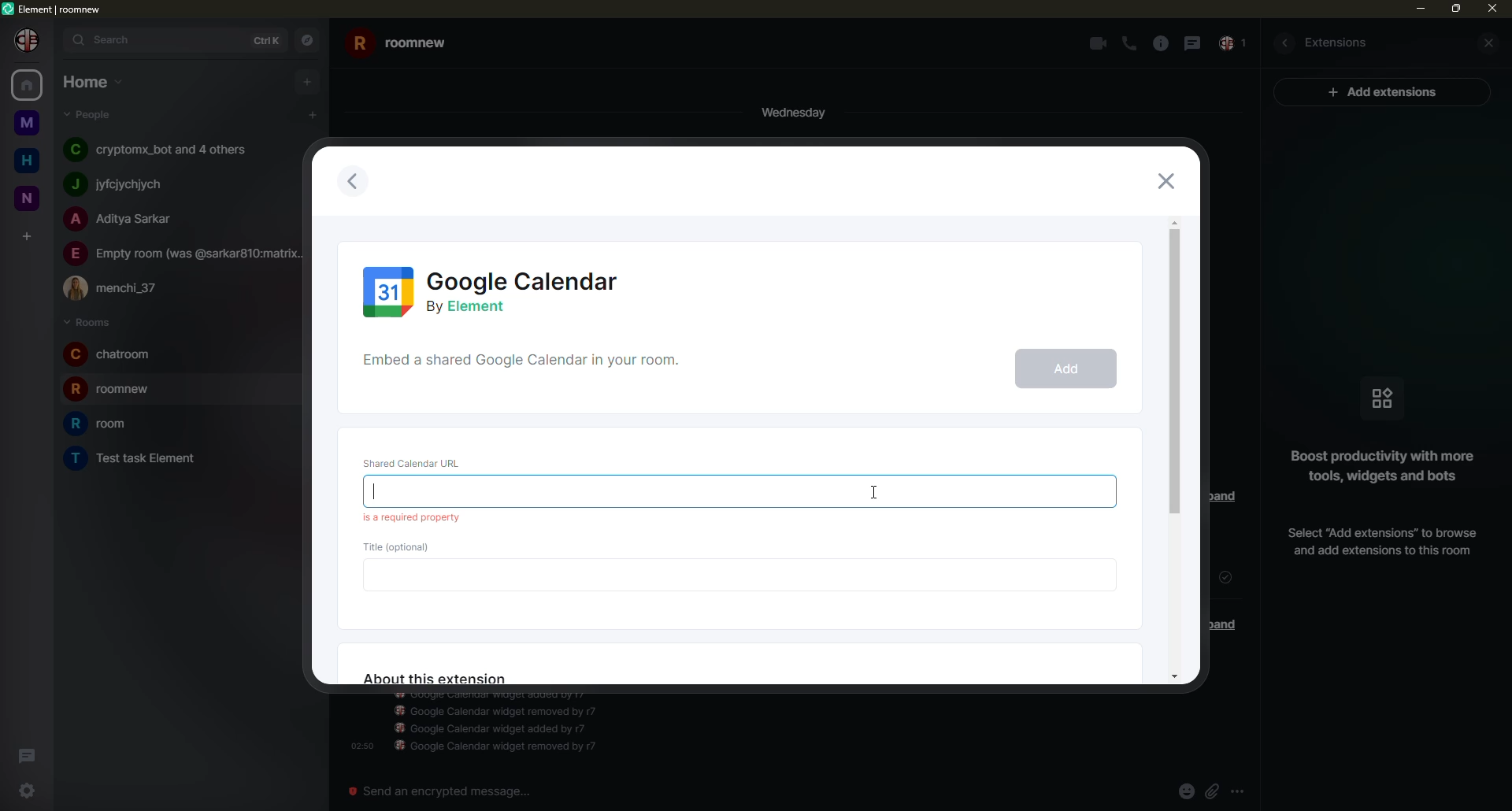 This screenshot has width=1512, height=811. Describe the element at coordinates (1173, 674) in the screenshot. I see `move down` at that location.